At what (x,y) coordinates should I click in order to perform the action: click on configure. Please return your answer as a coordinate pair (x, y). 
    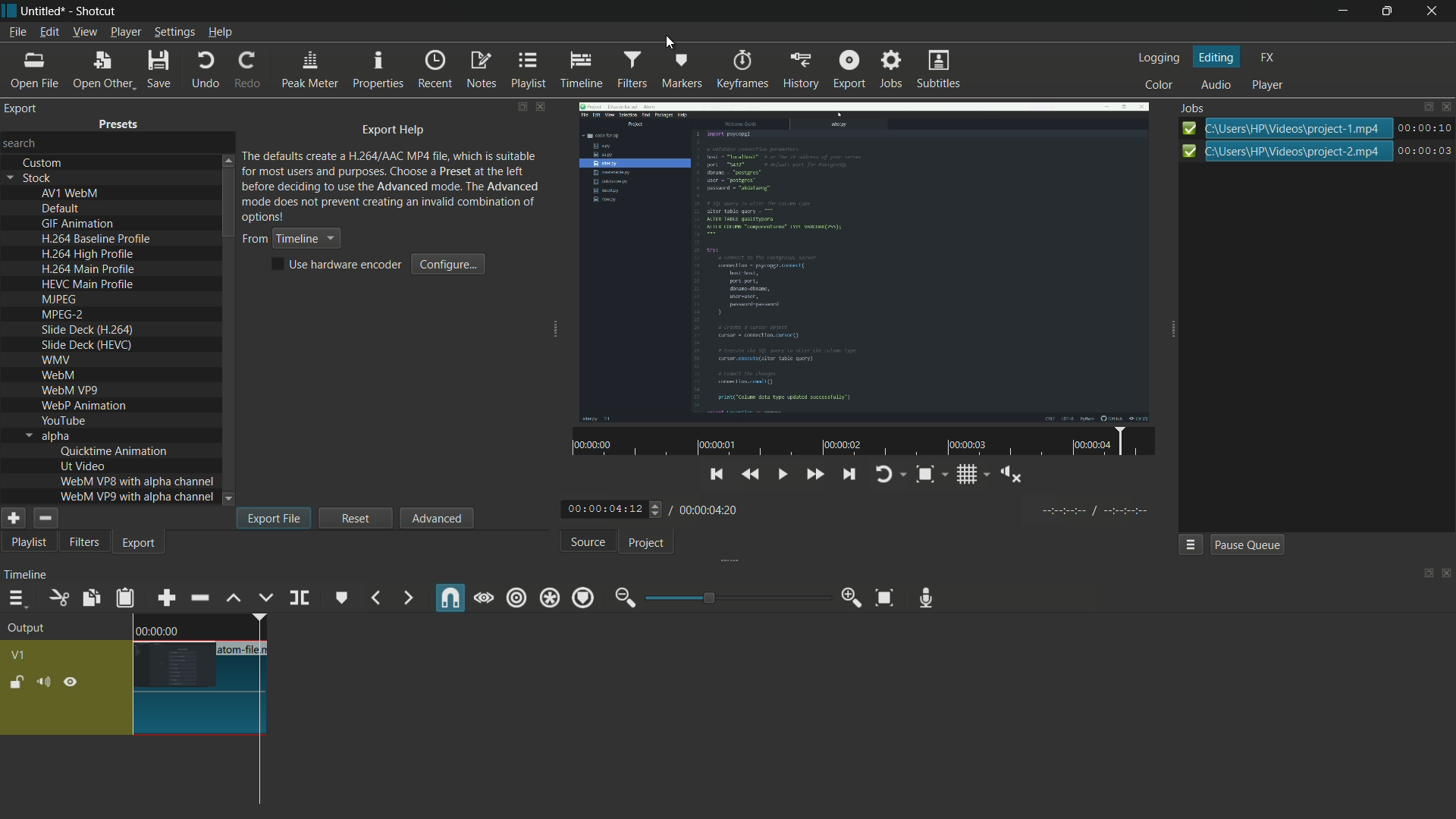
    Looking at the image, I should click on (450, 264).